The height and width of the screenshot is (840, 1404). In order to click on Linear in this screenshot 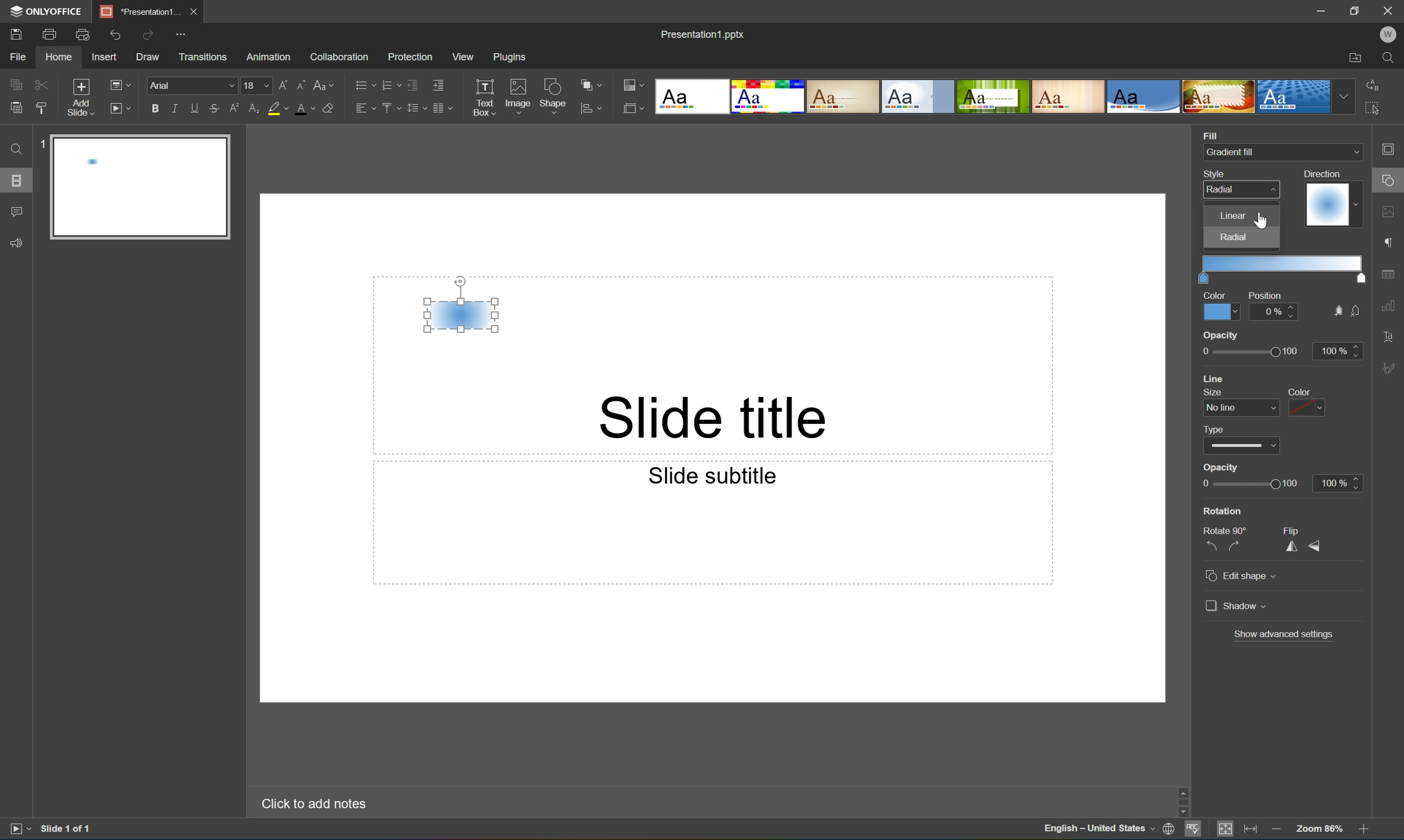, I will do `click(1233, 215)`.